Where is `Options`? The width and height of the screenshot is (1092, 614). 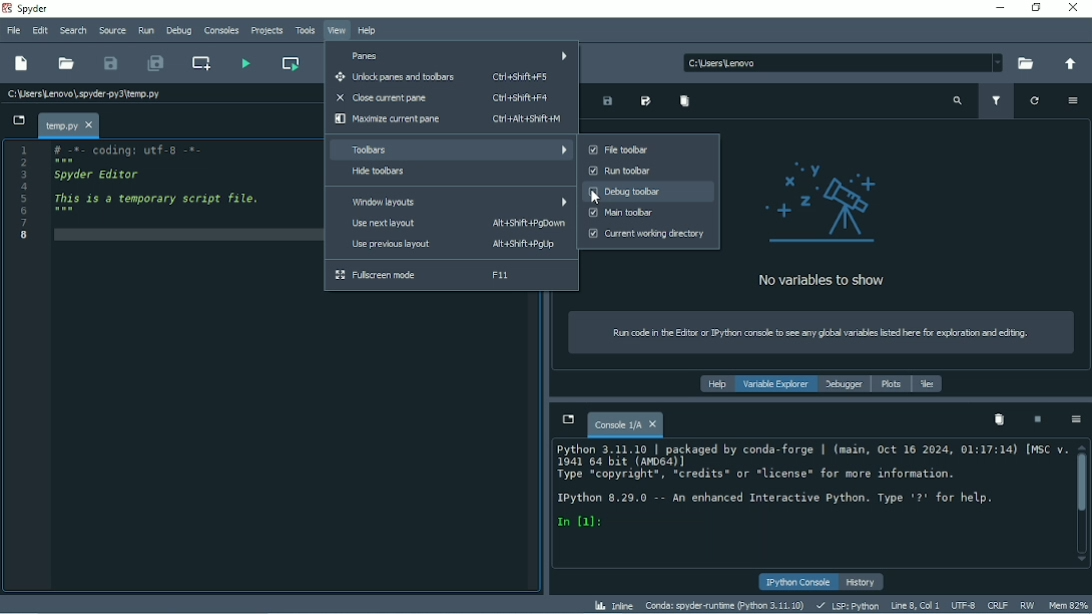 Options is located at coordinates (1075, 420).